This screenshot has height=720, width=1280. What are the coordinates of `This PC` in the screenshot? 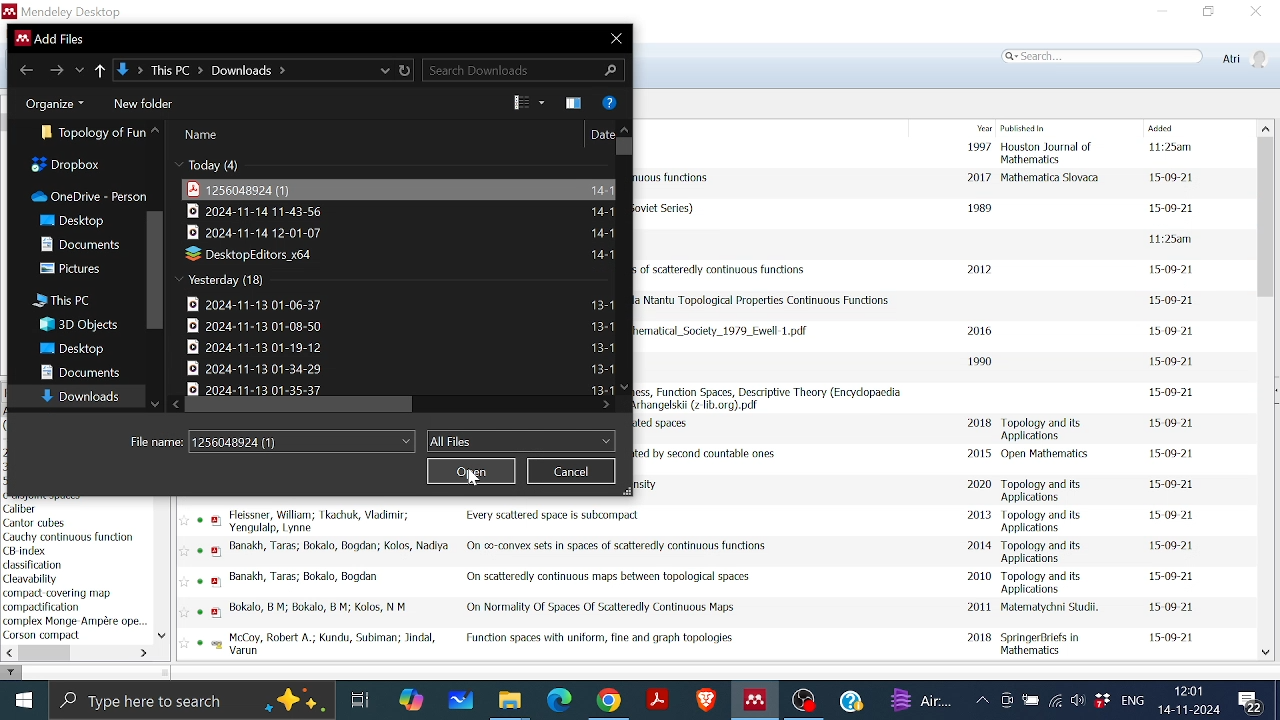 It's located at (64, 300).